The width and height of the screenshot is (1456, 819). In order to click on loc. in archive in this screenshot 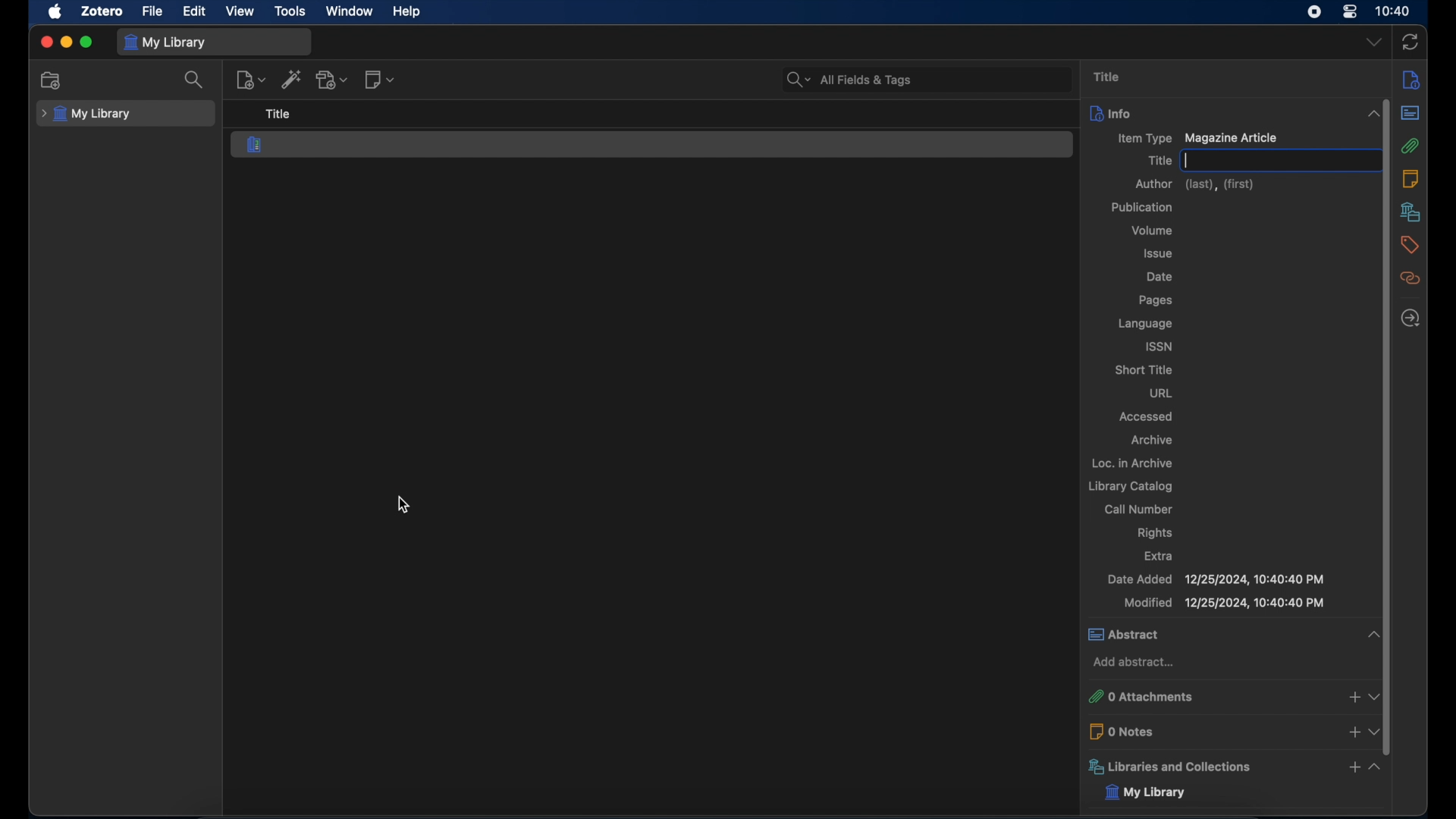, I will do `click(1131, 462)`.